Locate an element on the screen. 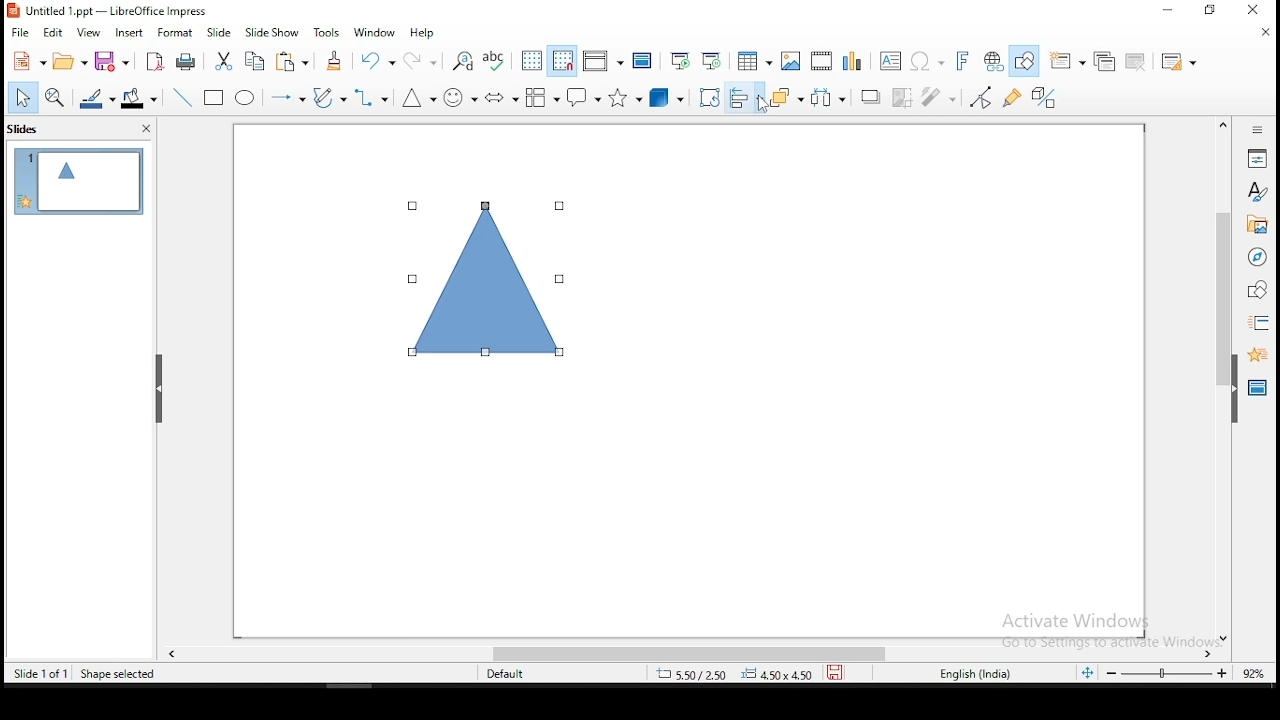 The image size is (1280, 720). basic shapes is located at coordinates (418, 100).